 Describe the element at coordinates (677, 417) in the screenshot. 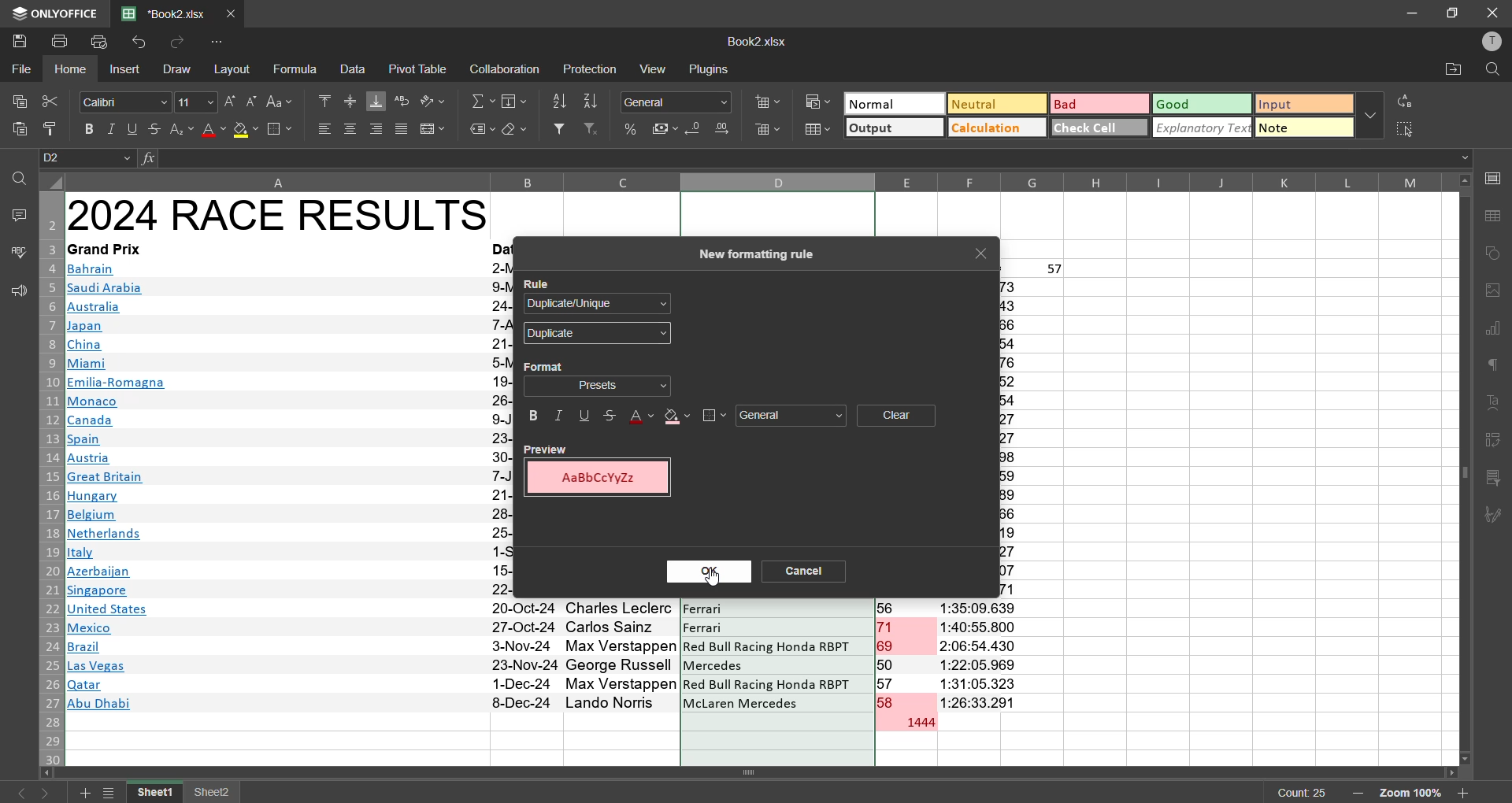

I see `fill color` at that location.